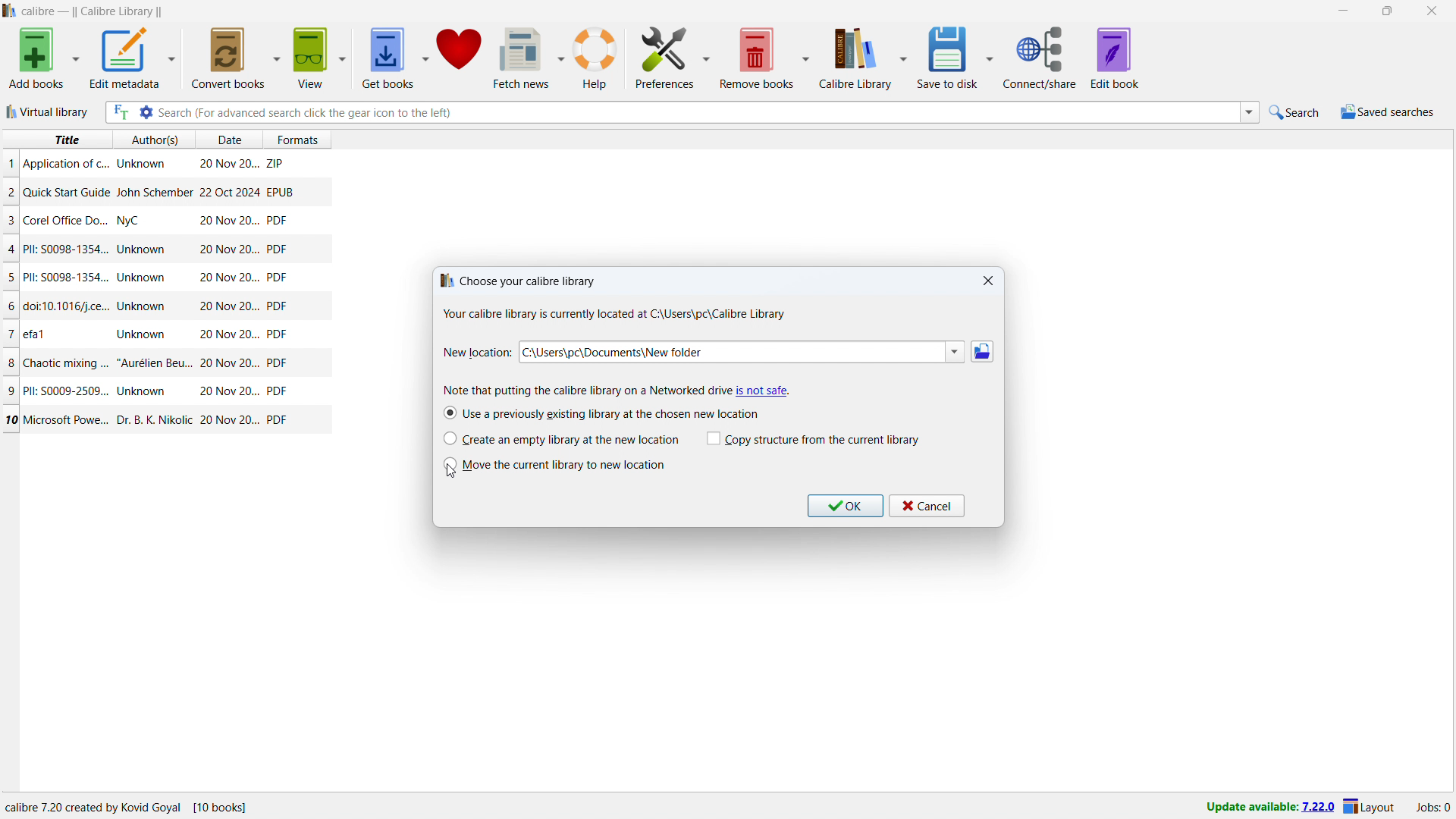  Describe the element at coordinates (12, 306) in the screenshot. I see `6` at that location.